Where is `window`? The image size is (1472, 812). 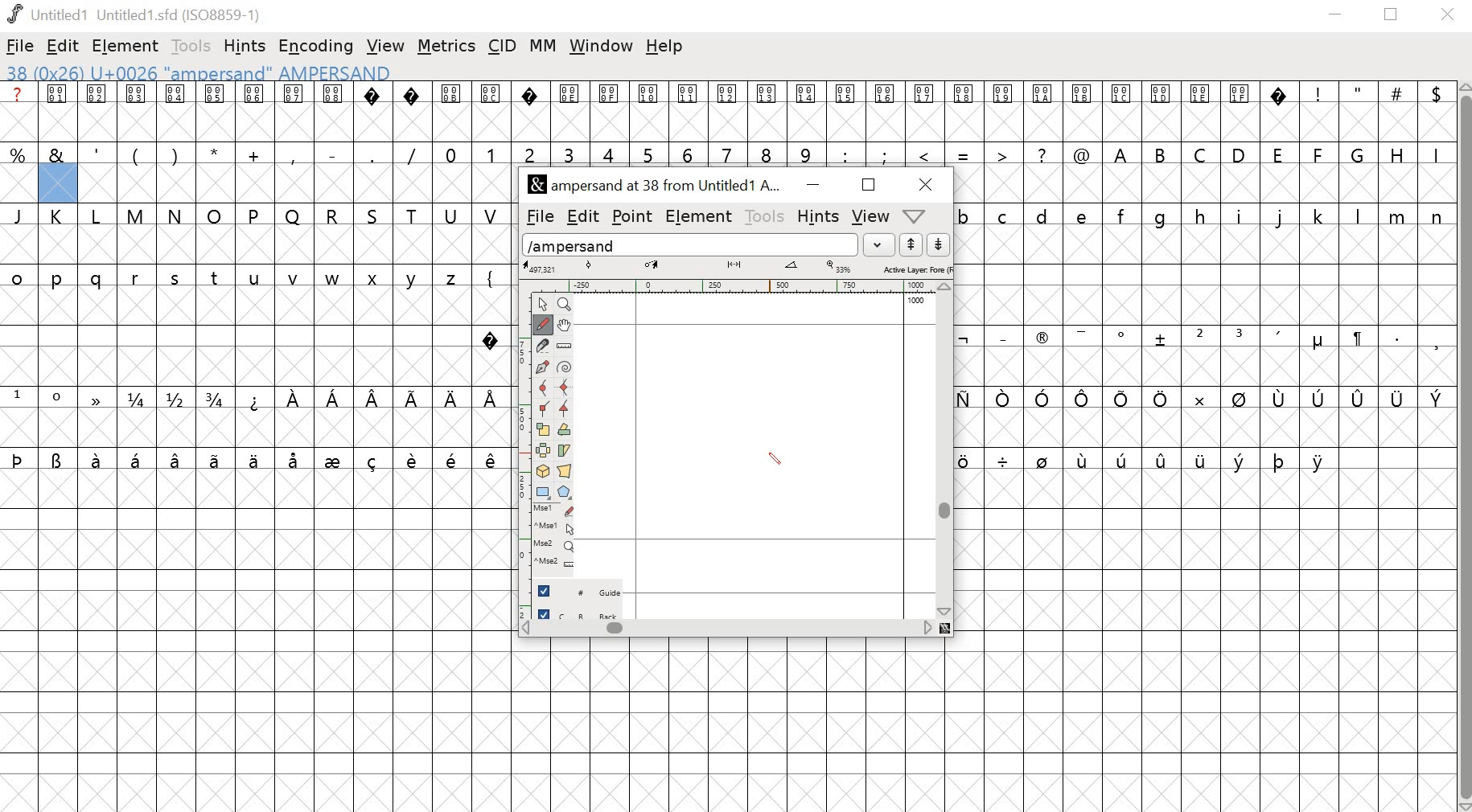
window is located at coordinates (600, 47).